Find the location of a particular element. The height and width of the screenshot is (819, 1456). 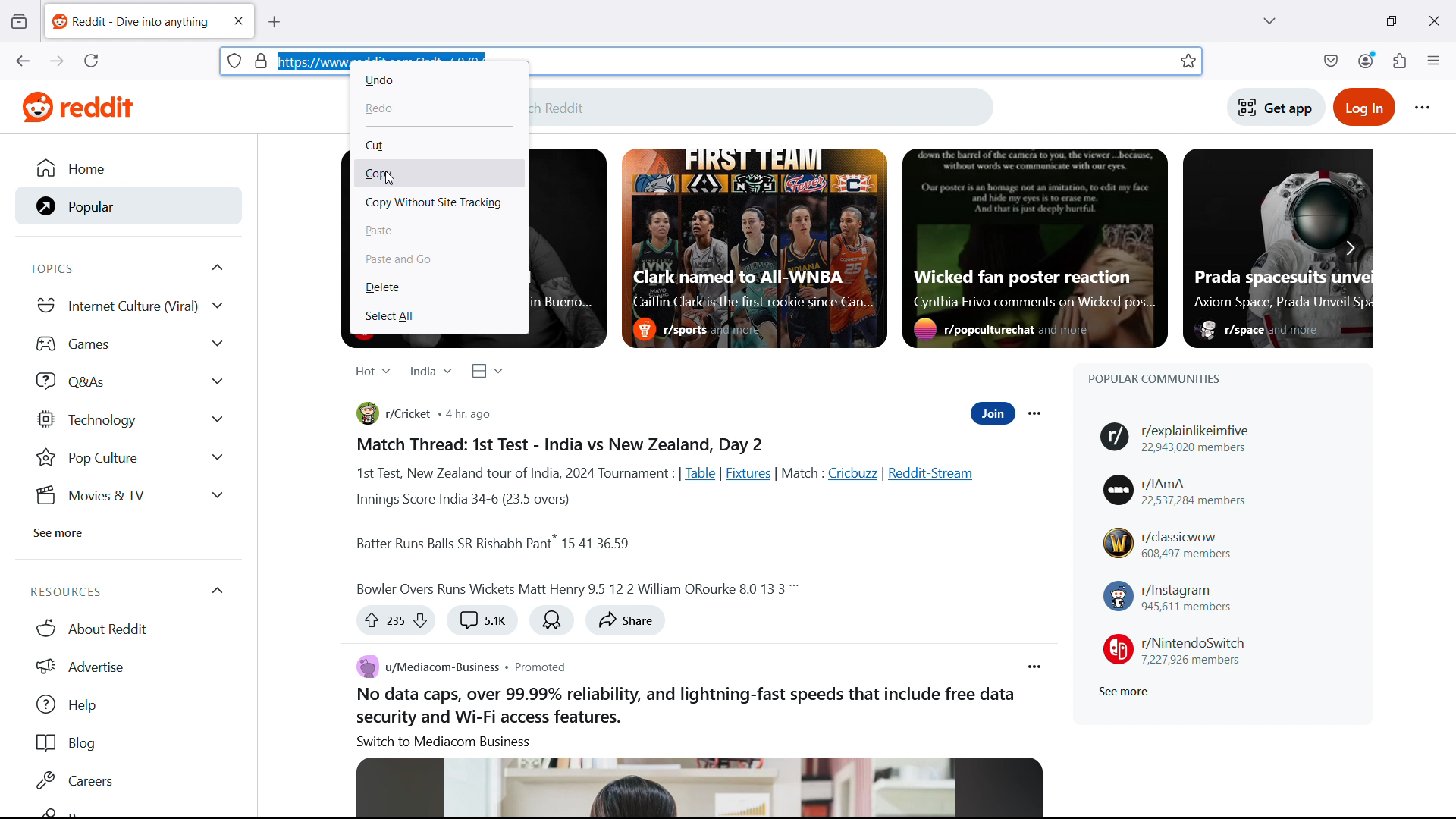

Pop Culture is located at coordinates (129, 459).